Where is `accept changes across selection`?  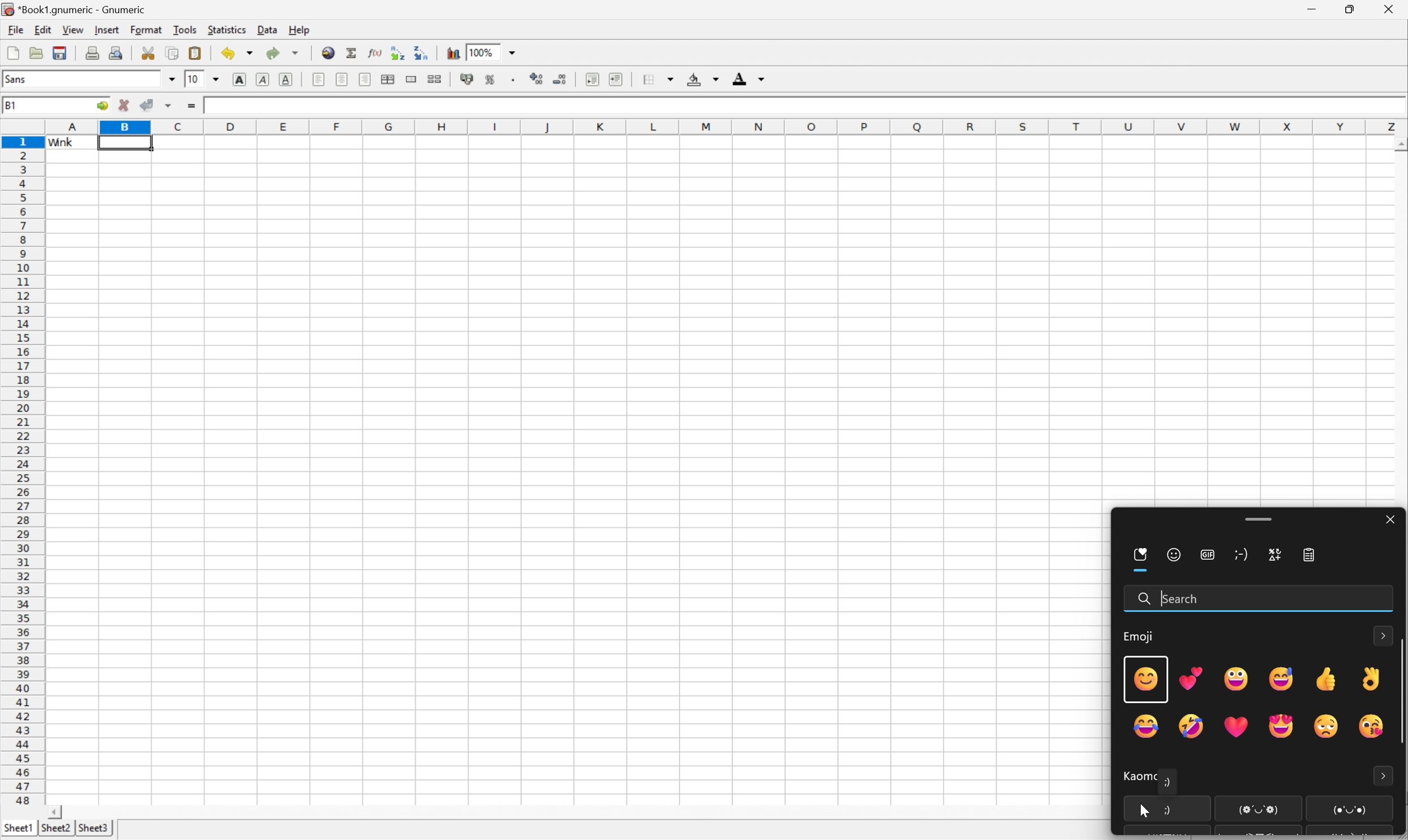
accept changes across selection is located at coordinates (168, 107).